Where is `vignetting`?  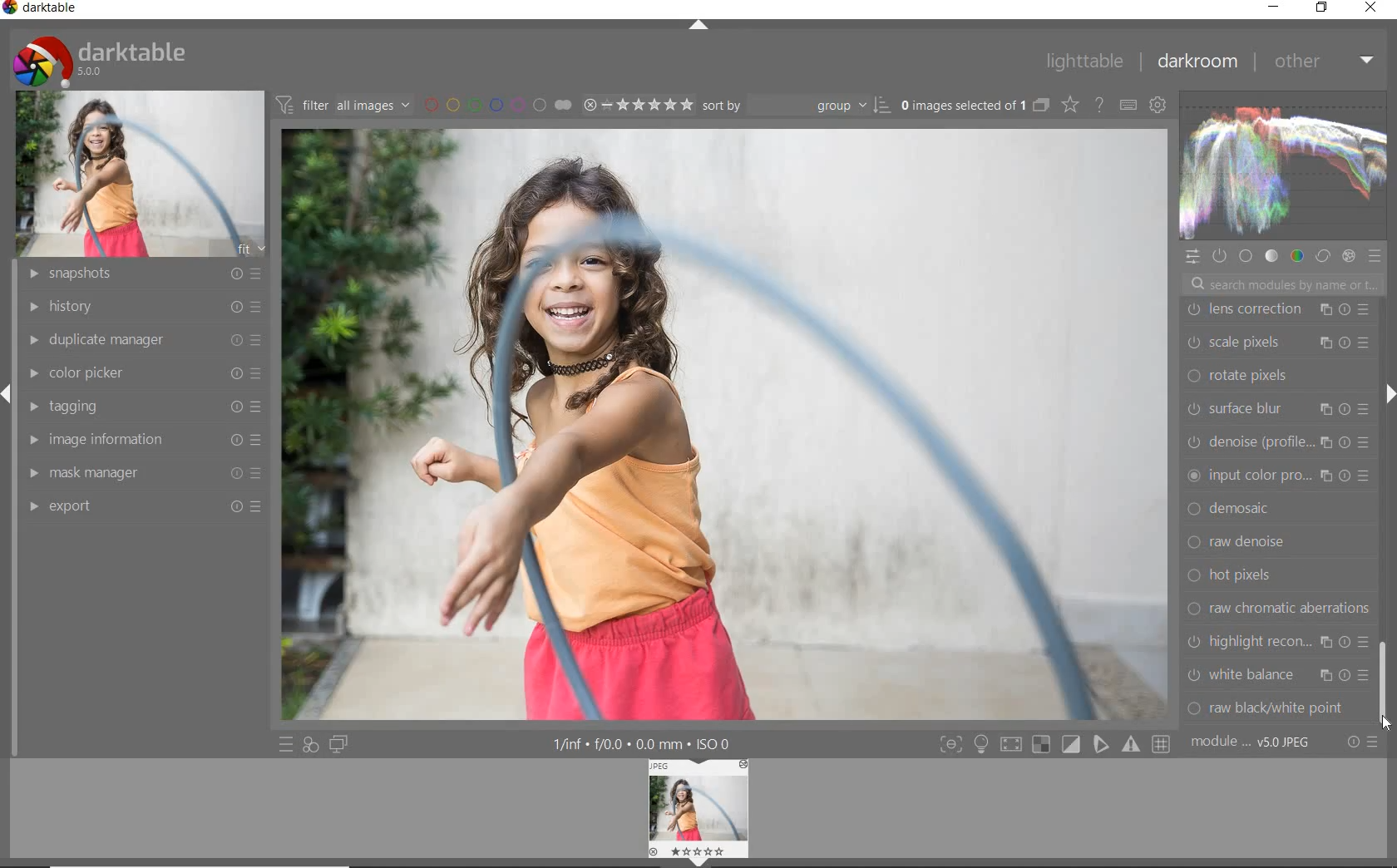
vignetting is located at coordinates (1276, 479).